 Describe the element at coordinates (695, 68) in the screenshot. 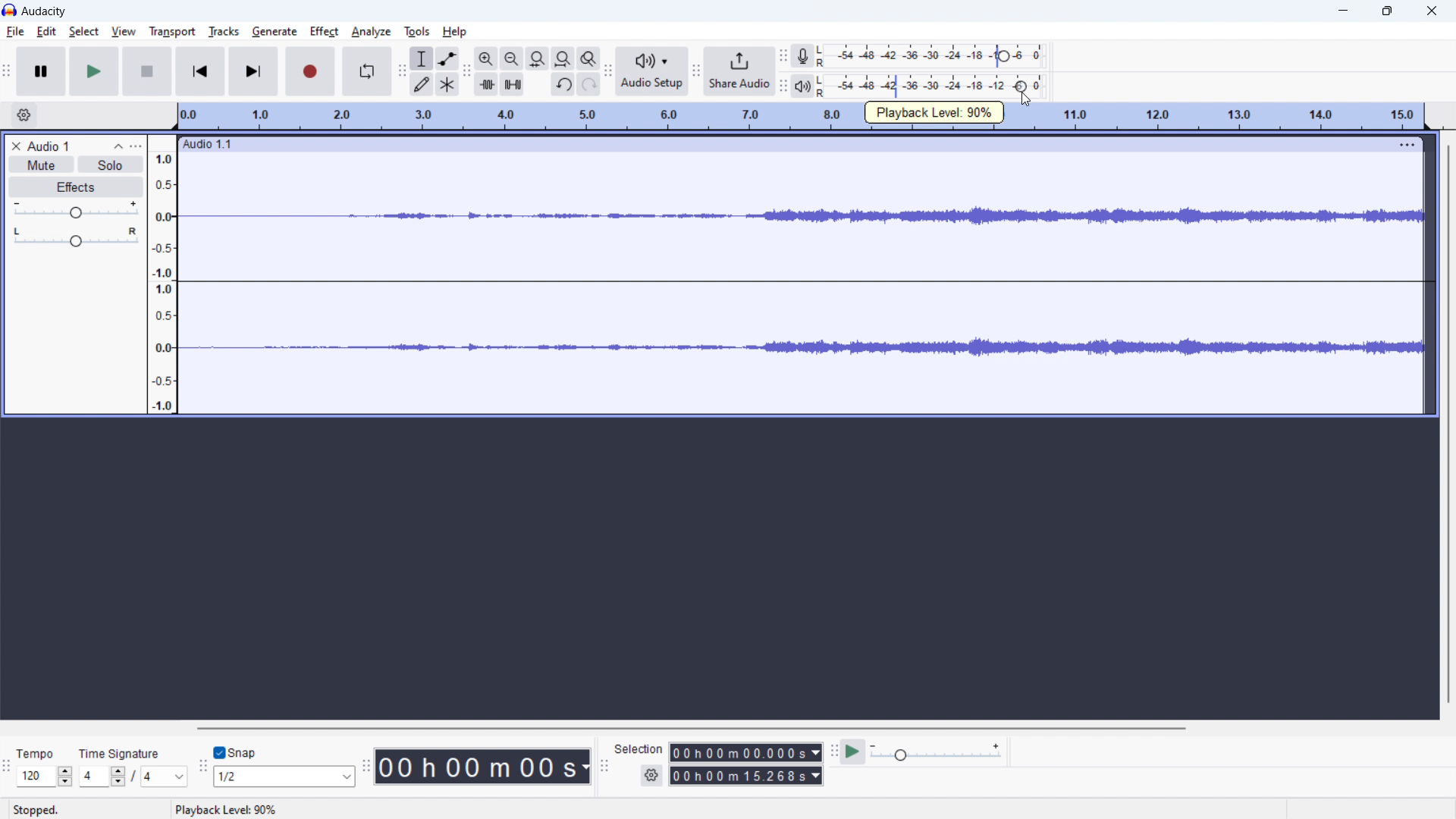

I see `share audio toolbar` at that location.